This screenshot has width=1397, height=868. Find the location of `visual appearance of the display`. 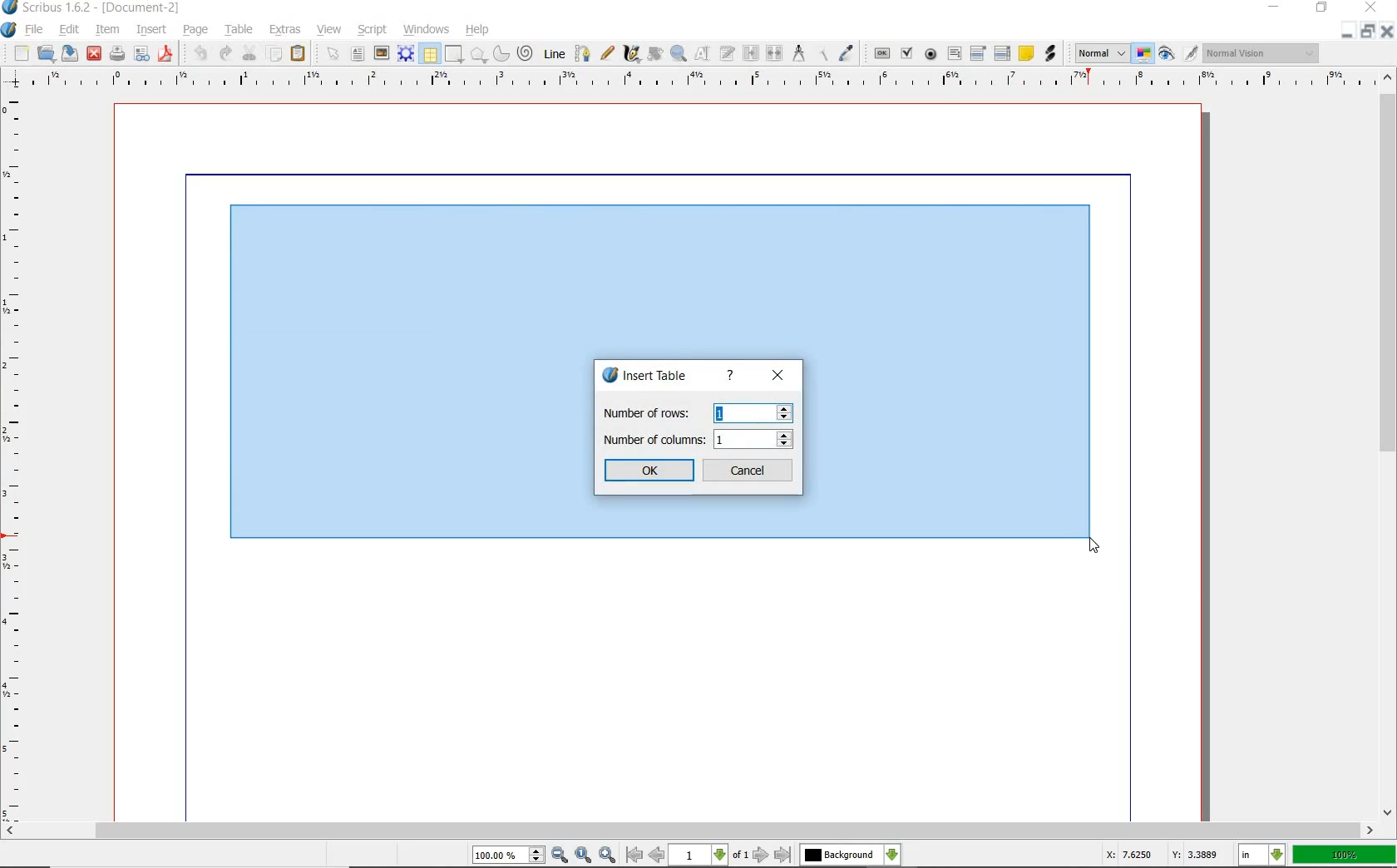

visual appearance of the display is located at coordinates (1264, 52).